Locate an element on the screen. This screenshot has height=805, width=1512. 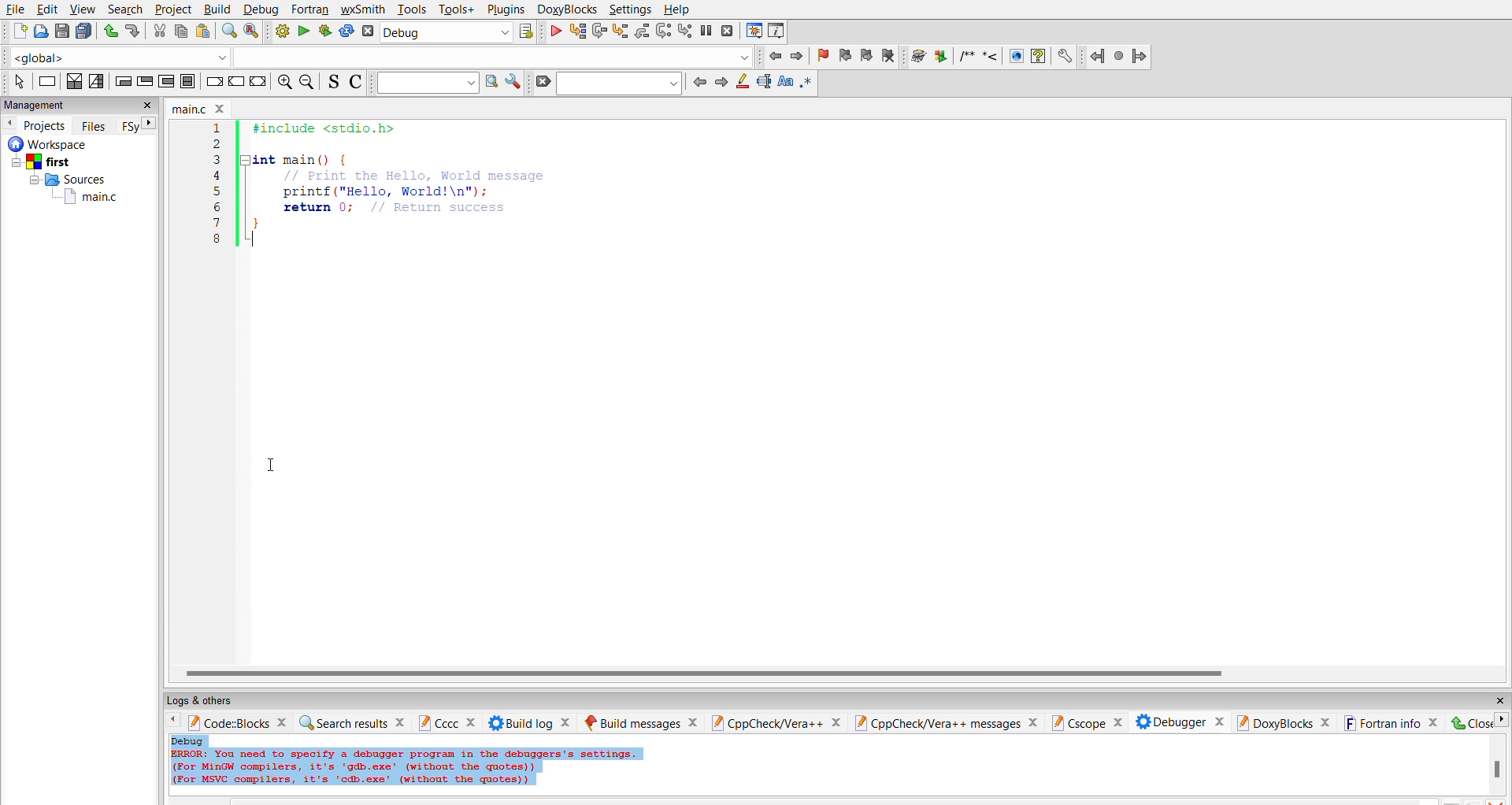
cscope is located at coordinates (1088, 719).